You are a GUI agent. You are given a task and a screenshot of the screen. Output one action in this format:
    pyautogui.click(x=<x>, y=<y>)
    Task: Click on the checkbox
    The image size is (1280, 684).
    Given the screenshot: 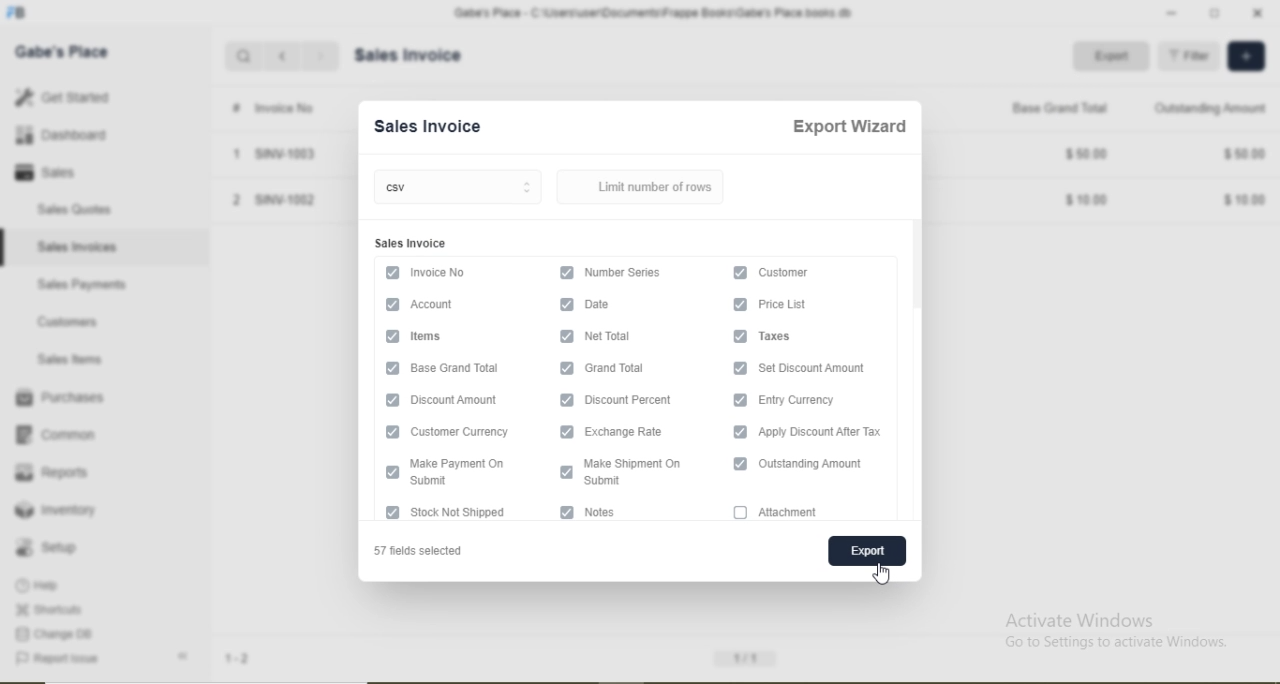 What is the action you would take?
    pyautogui.click(x=565, y=400)
    